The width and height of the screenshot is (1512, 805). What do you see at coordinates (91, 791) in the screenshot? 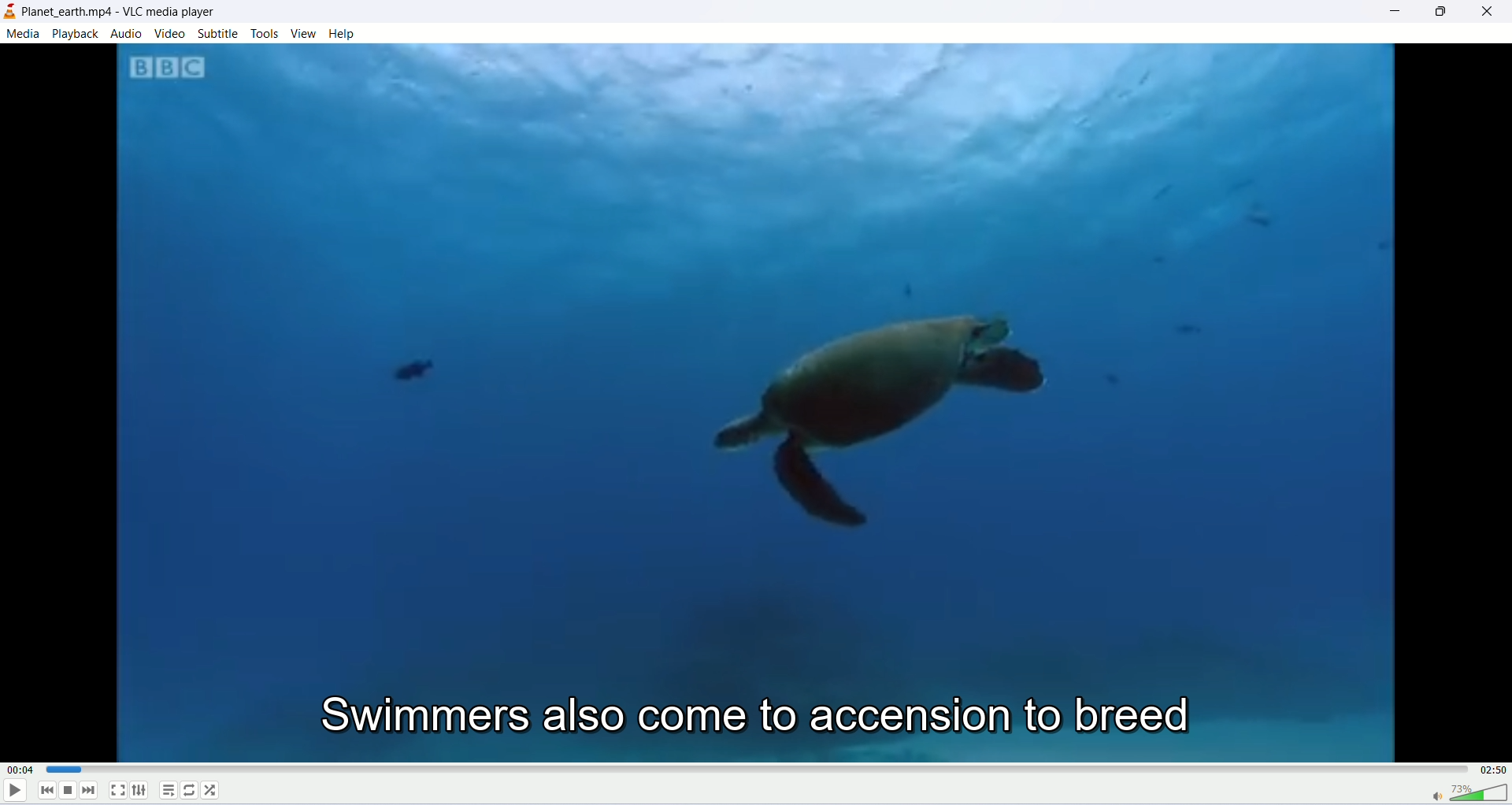
I see `next` at bounding box center [91, 791].